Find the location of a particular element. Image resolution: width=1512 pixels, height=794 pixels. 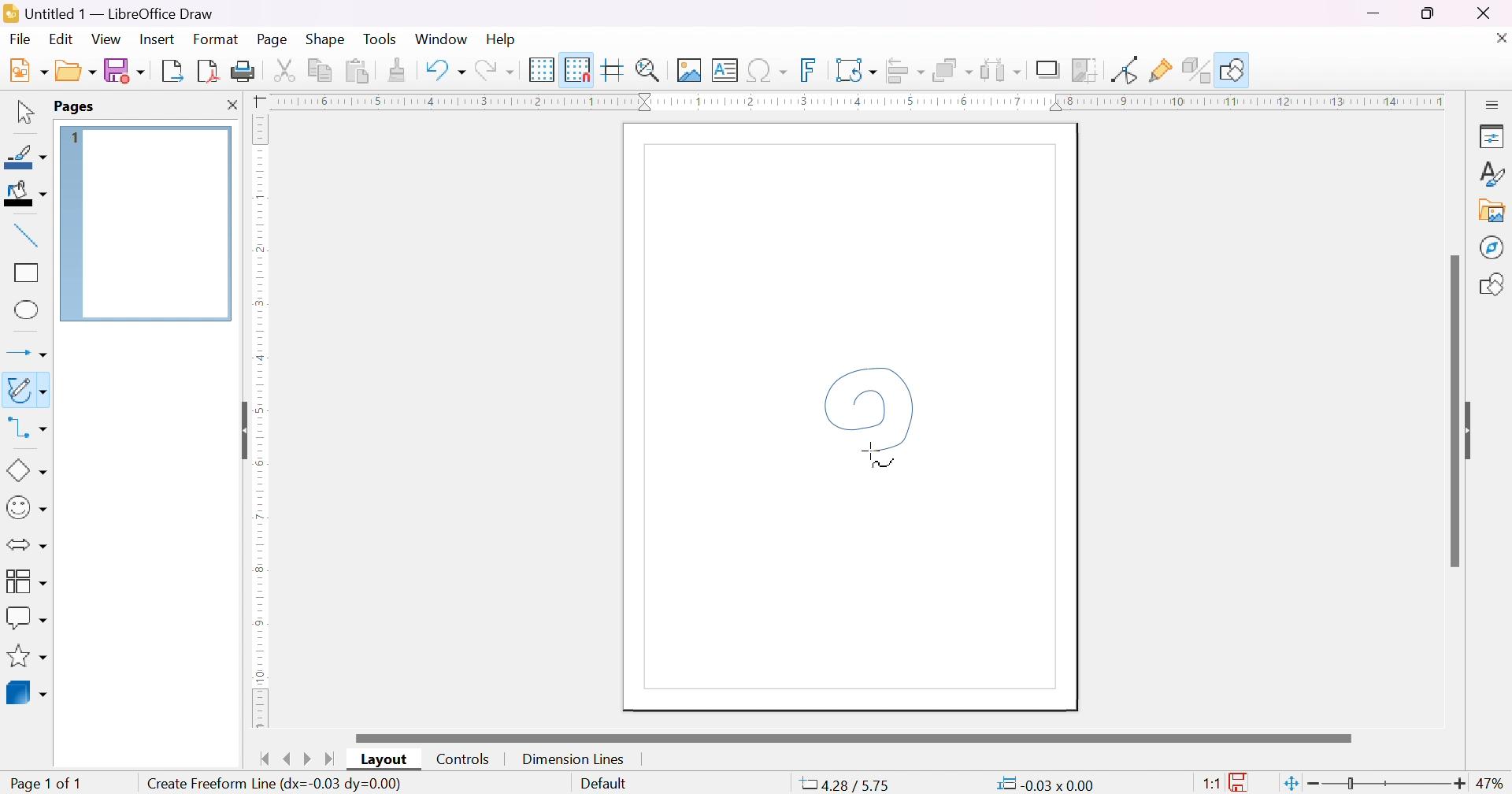

paste is located at coordinates (358, 72).